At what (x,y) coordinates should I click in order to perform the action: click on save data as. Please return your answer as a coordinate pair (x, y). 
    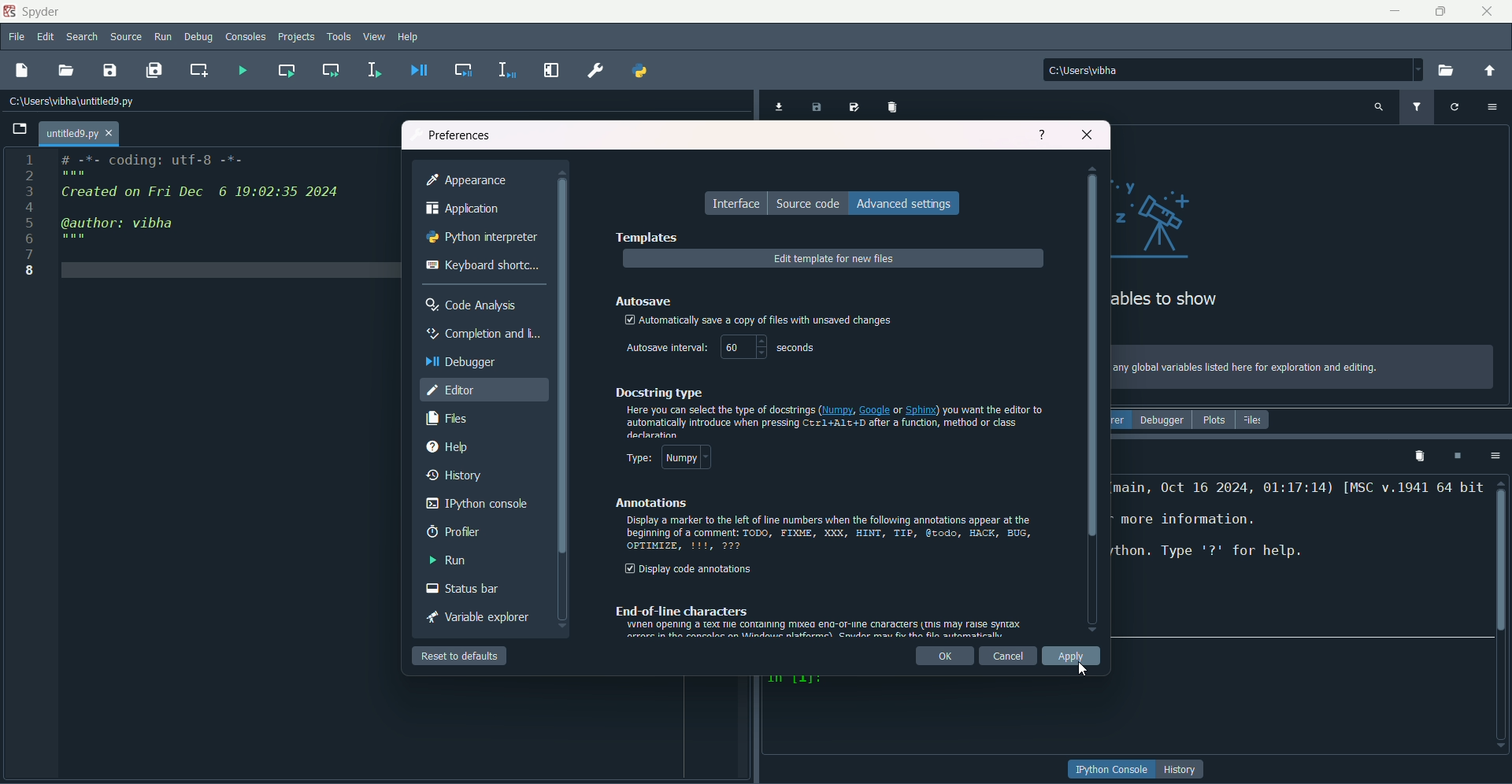
    Looking at the image, I should click on (856, 108).